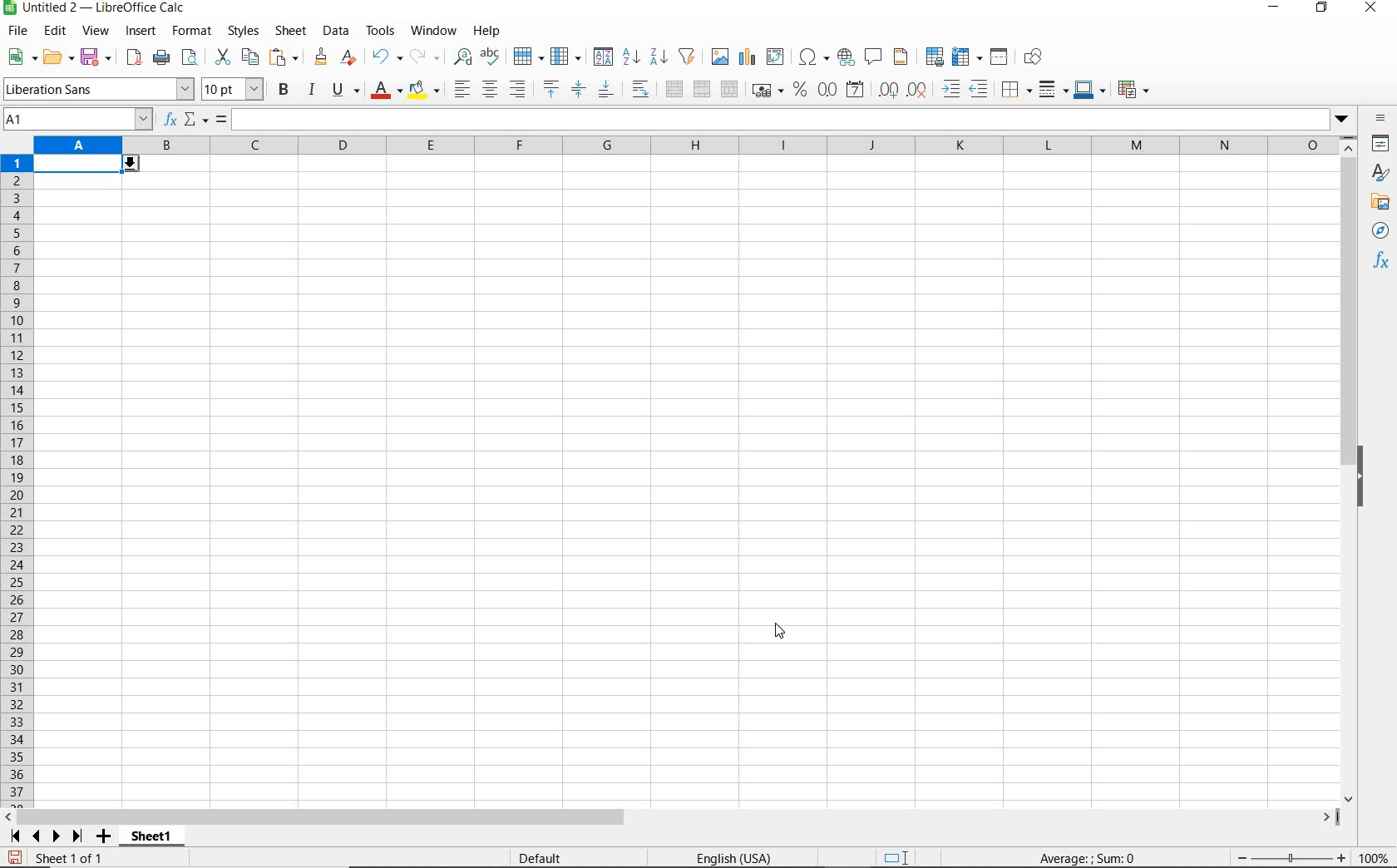  I want to click on show draw functions, so click(1036, 57).